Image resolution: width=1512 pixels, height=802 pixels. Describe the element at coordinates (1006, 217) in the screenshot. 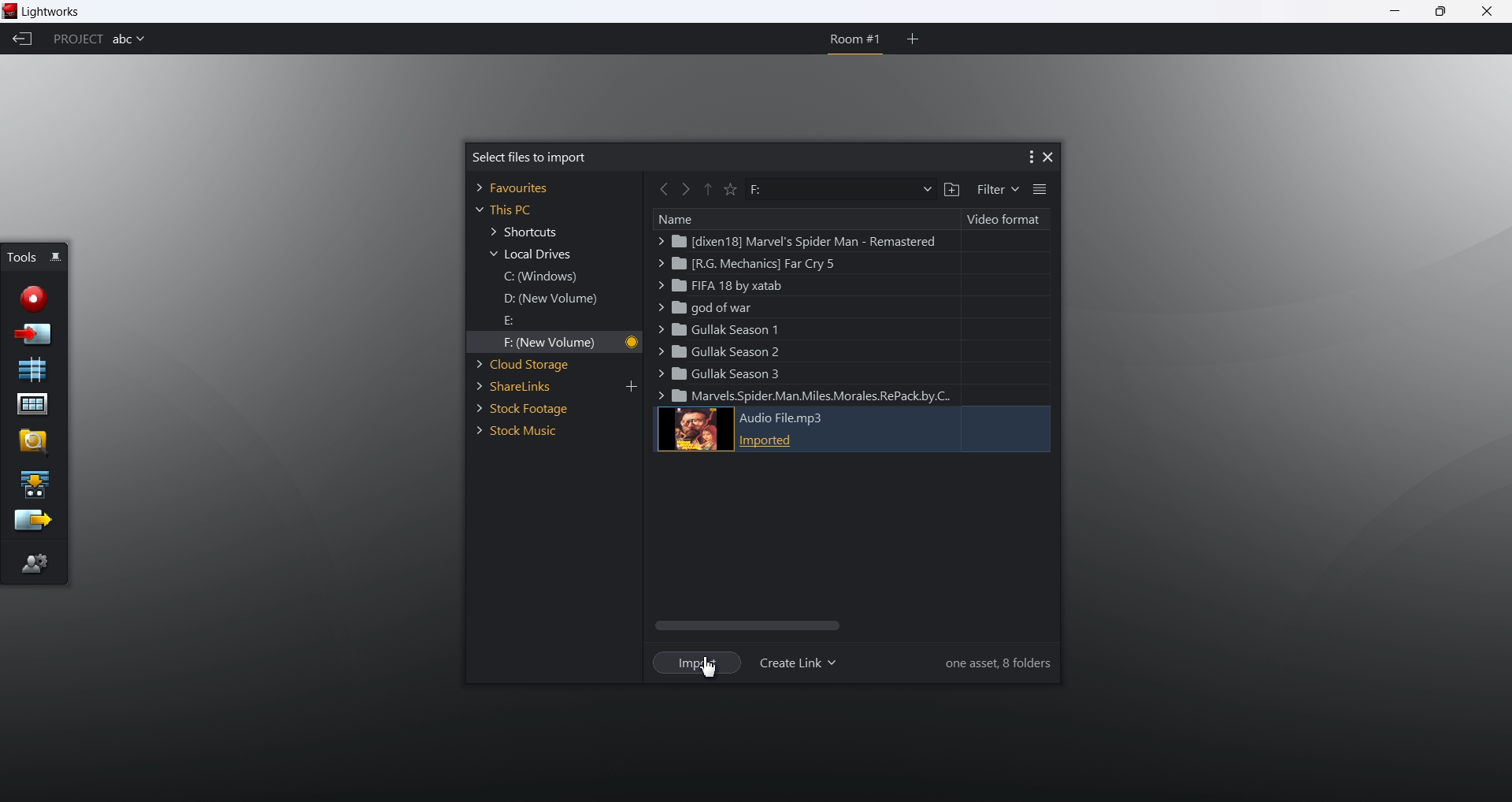

I see `video format` at that location.